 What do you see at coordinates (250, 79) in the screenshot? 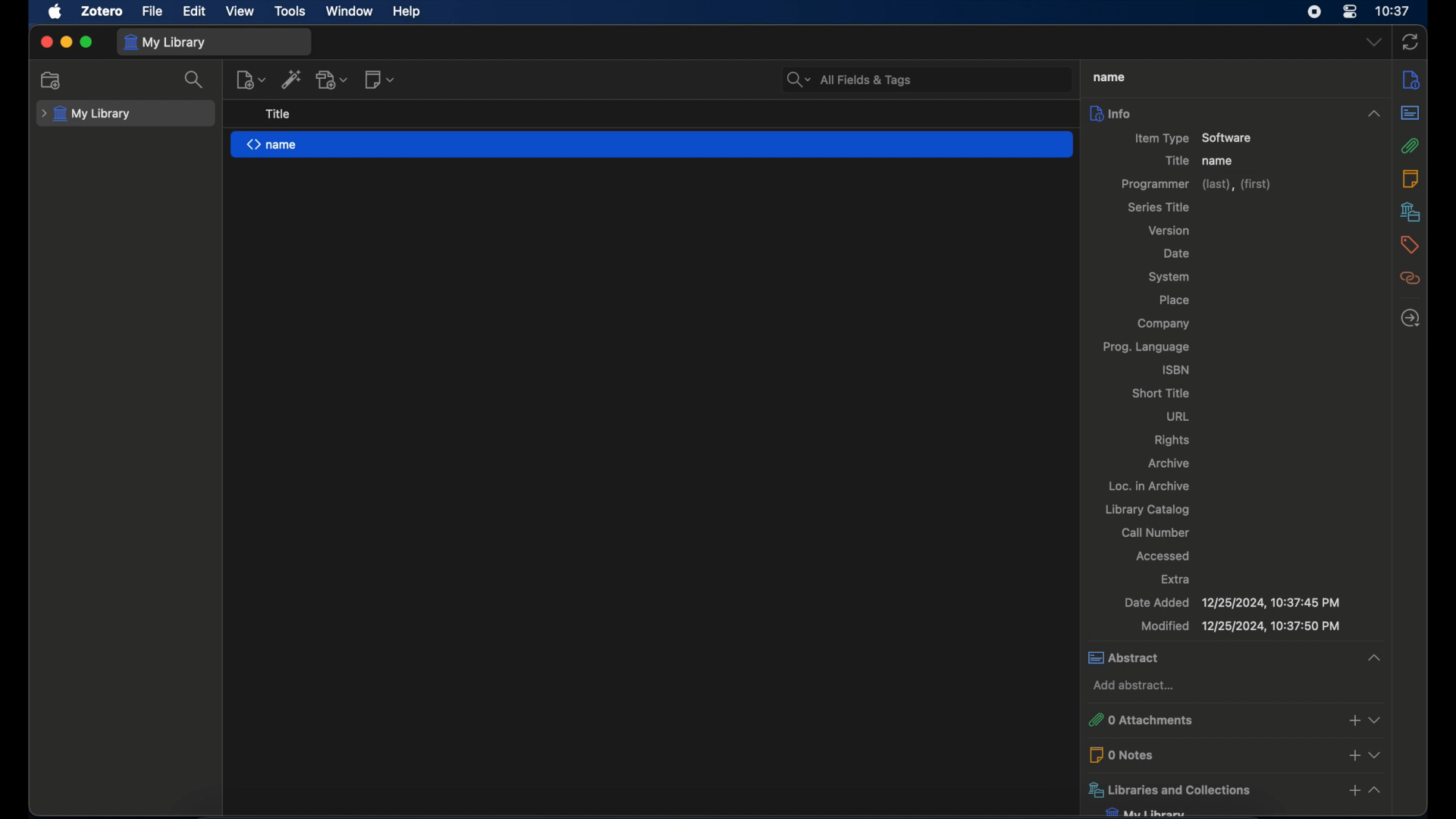
I see `new item` at bounding box center [250, 79].